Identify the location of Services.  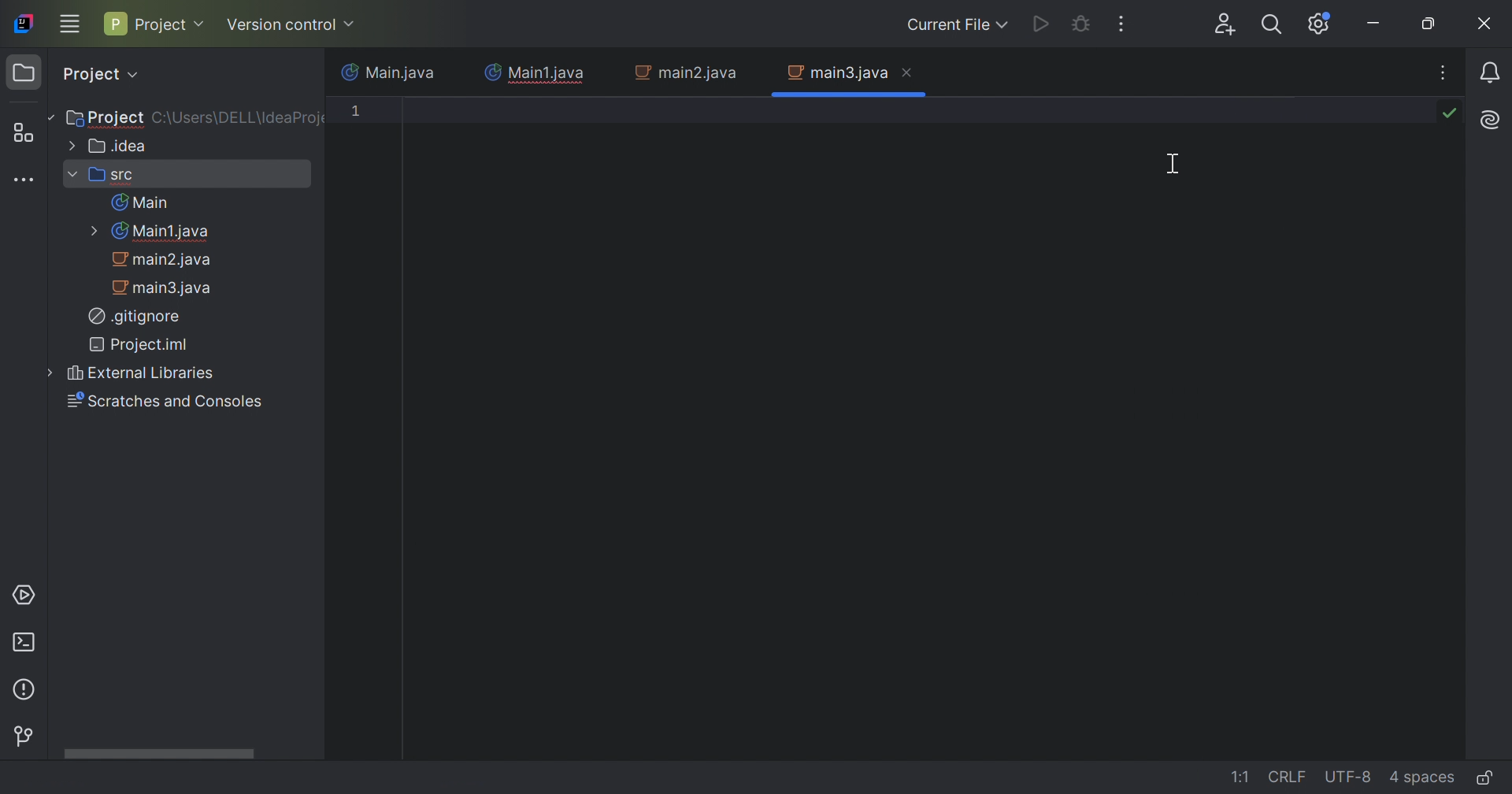
(24, 597).